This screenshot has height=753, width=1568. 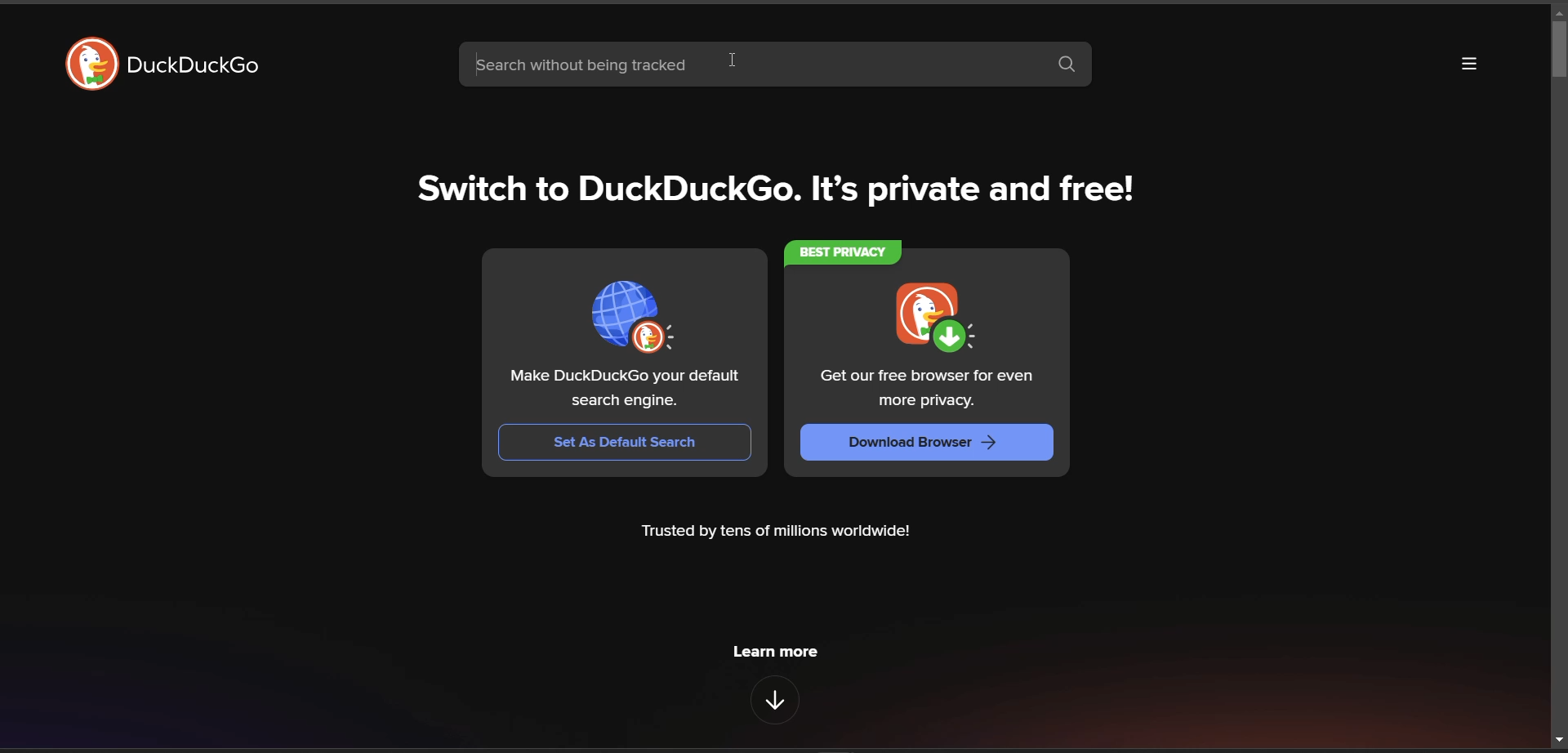 I want to click on features, so click(x=775, y=699).